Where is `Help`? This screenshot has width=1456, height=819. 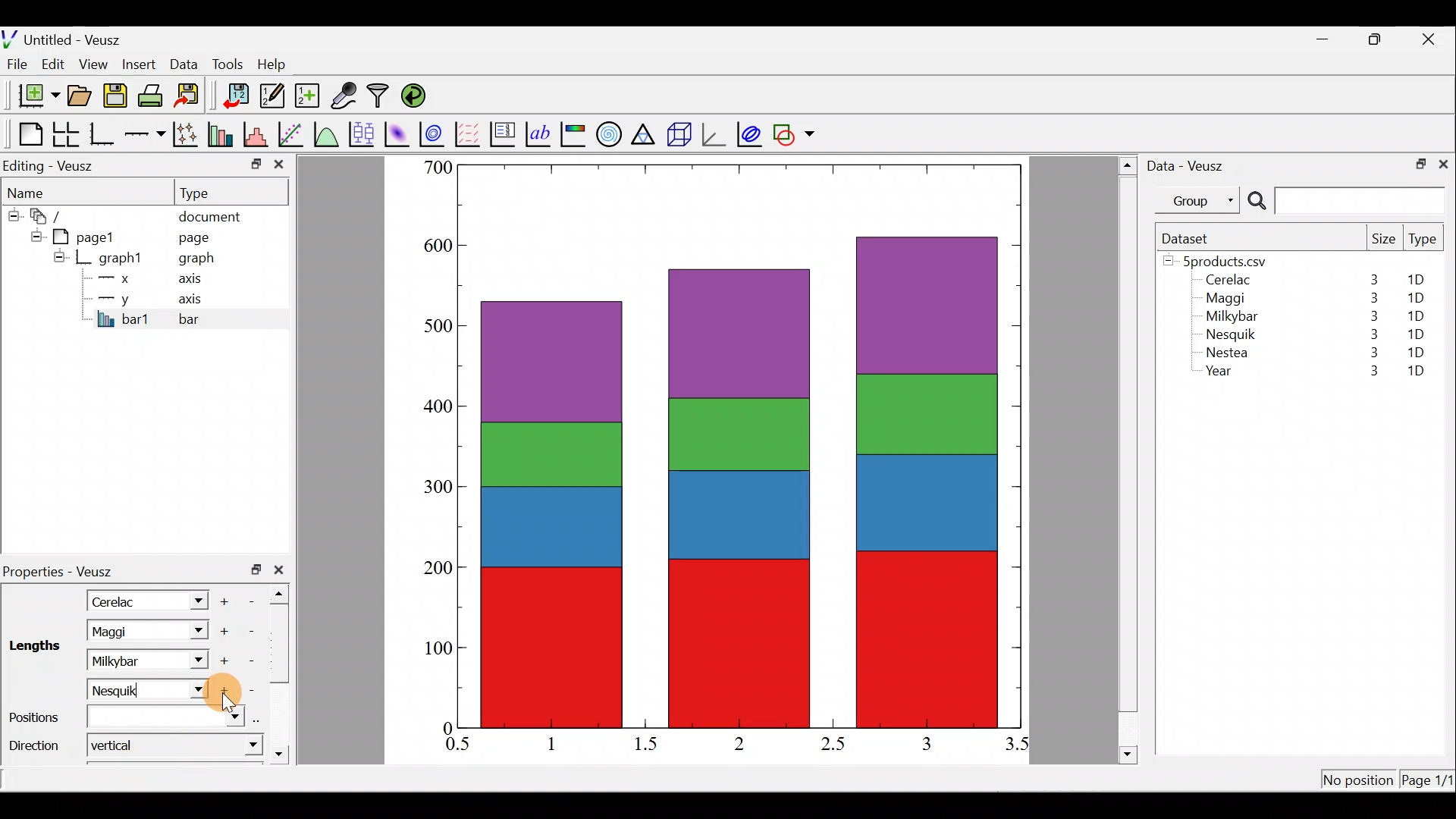
Help is located at coordinates (281, 64).